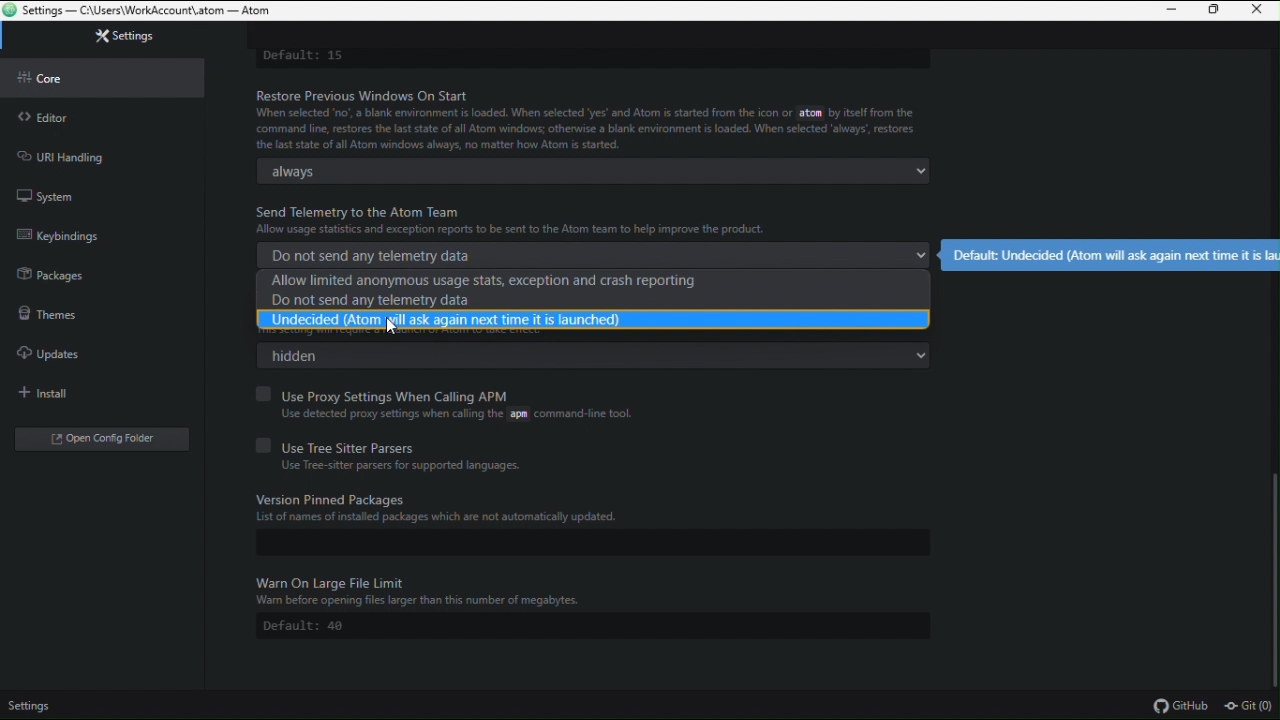 Image resolution: width=1280 pixels, height=720 pixels. What do you see at coordinates (598, 280) in the screenshot?
I see `Allow limited anonymous usage stats, exception and crash reporting` at bounding box center [598, 280].